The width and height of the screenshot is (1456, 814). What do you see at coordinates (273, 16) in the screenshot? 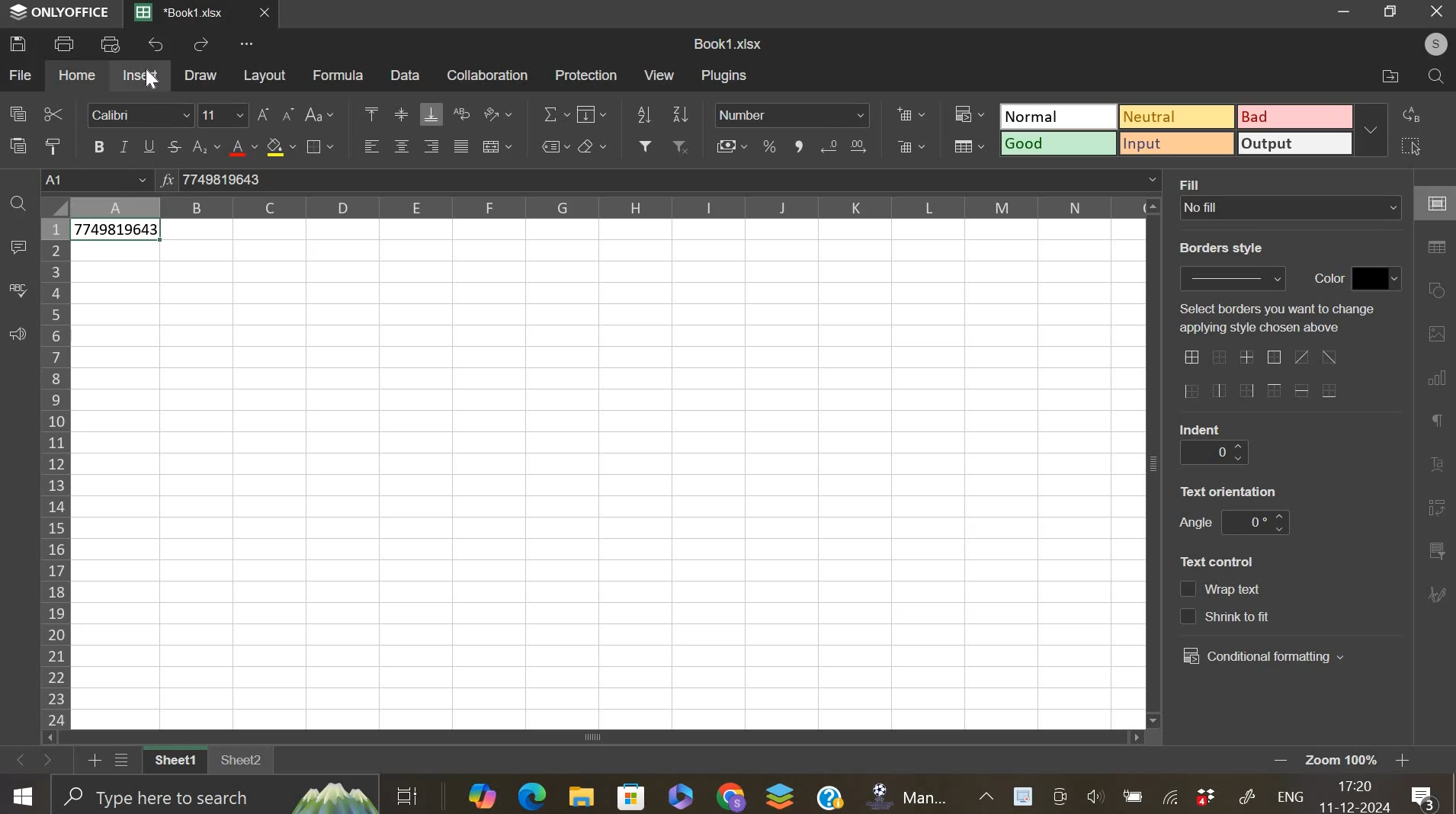
I see `close` at bounding box center [273, 16].